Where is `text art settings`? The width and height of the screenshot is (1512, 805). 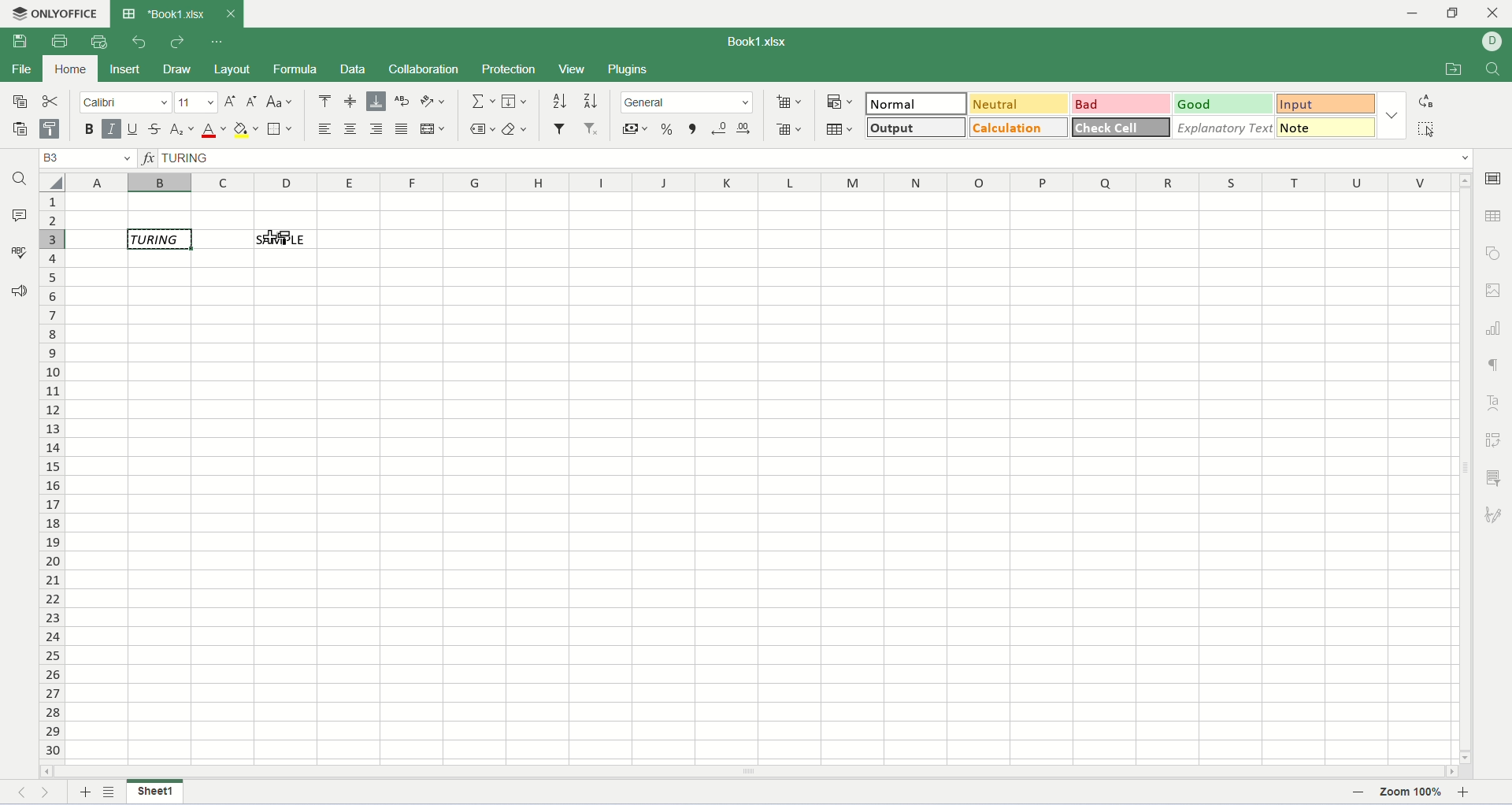 text art settings is located at coordinates (1495, 402).